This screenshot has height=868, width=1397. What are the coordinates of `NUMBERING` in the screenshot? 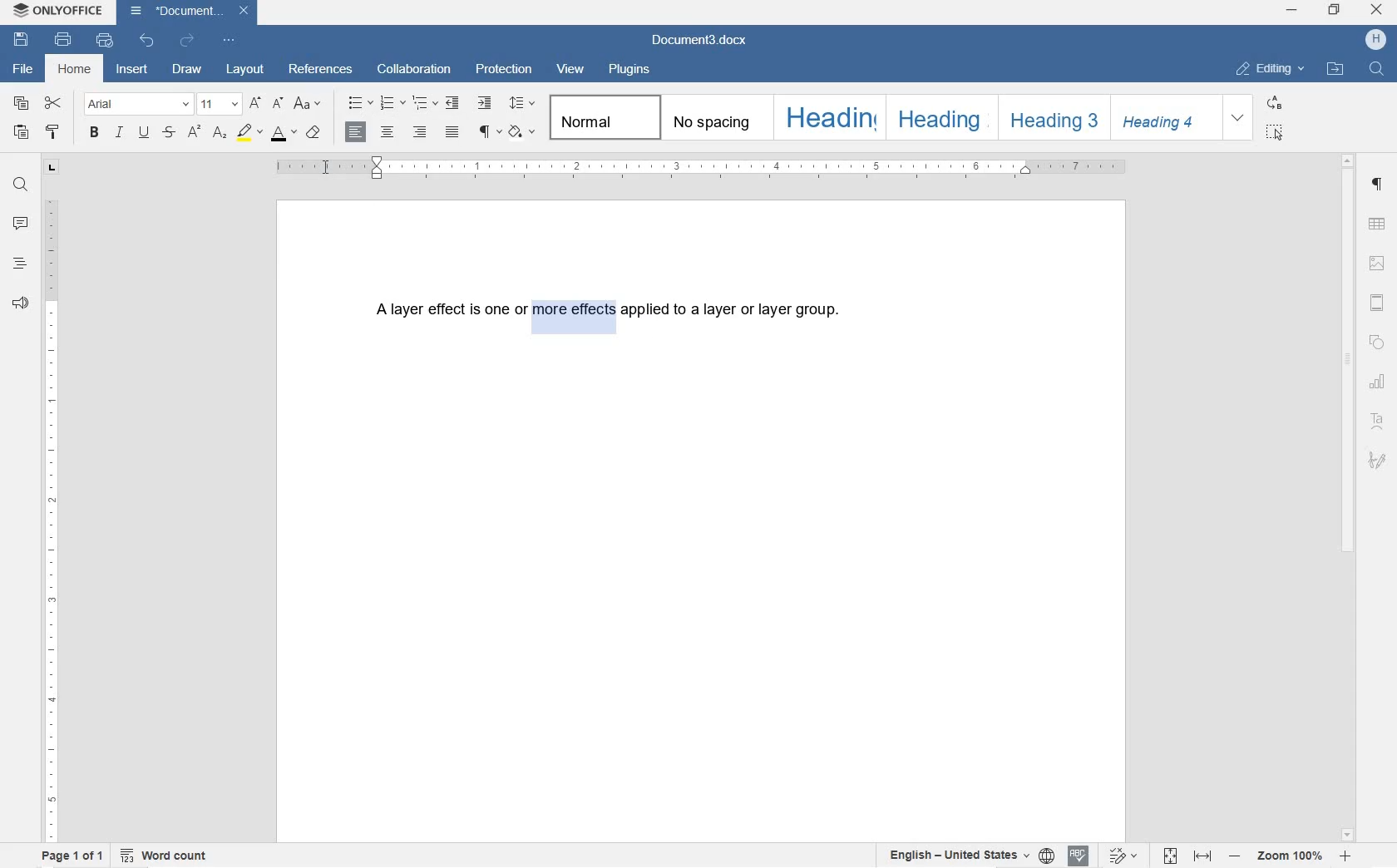 It's located at (393, 104).